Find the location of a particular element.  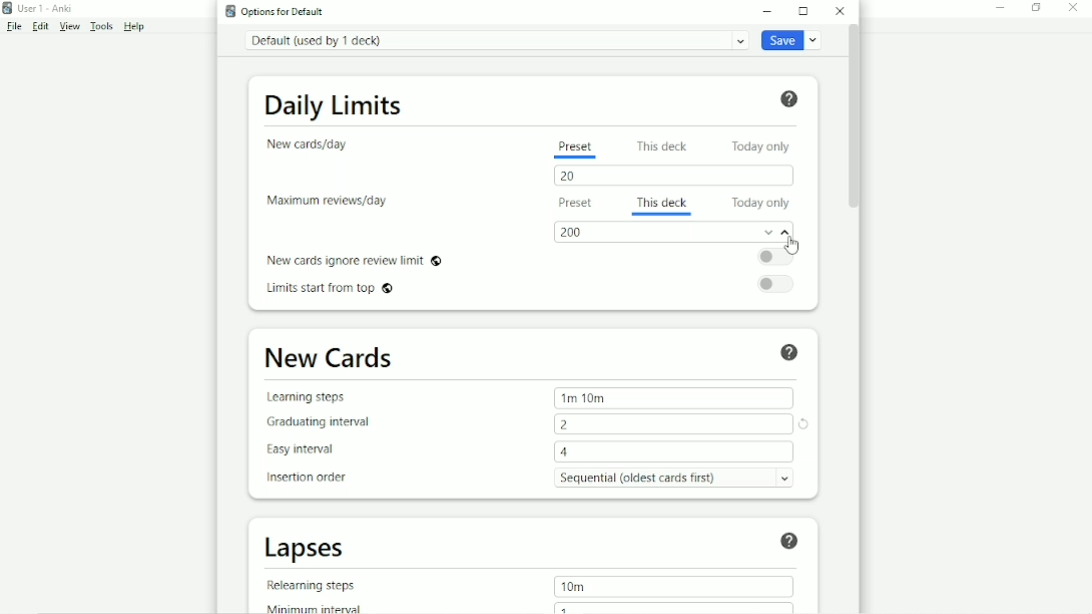

Toggle on/off is located at coordinates (781, 283).